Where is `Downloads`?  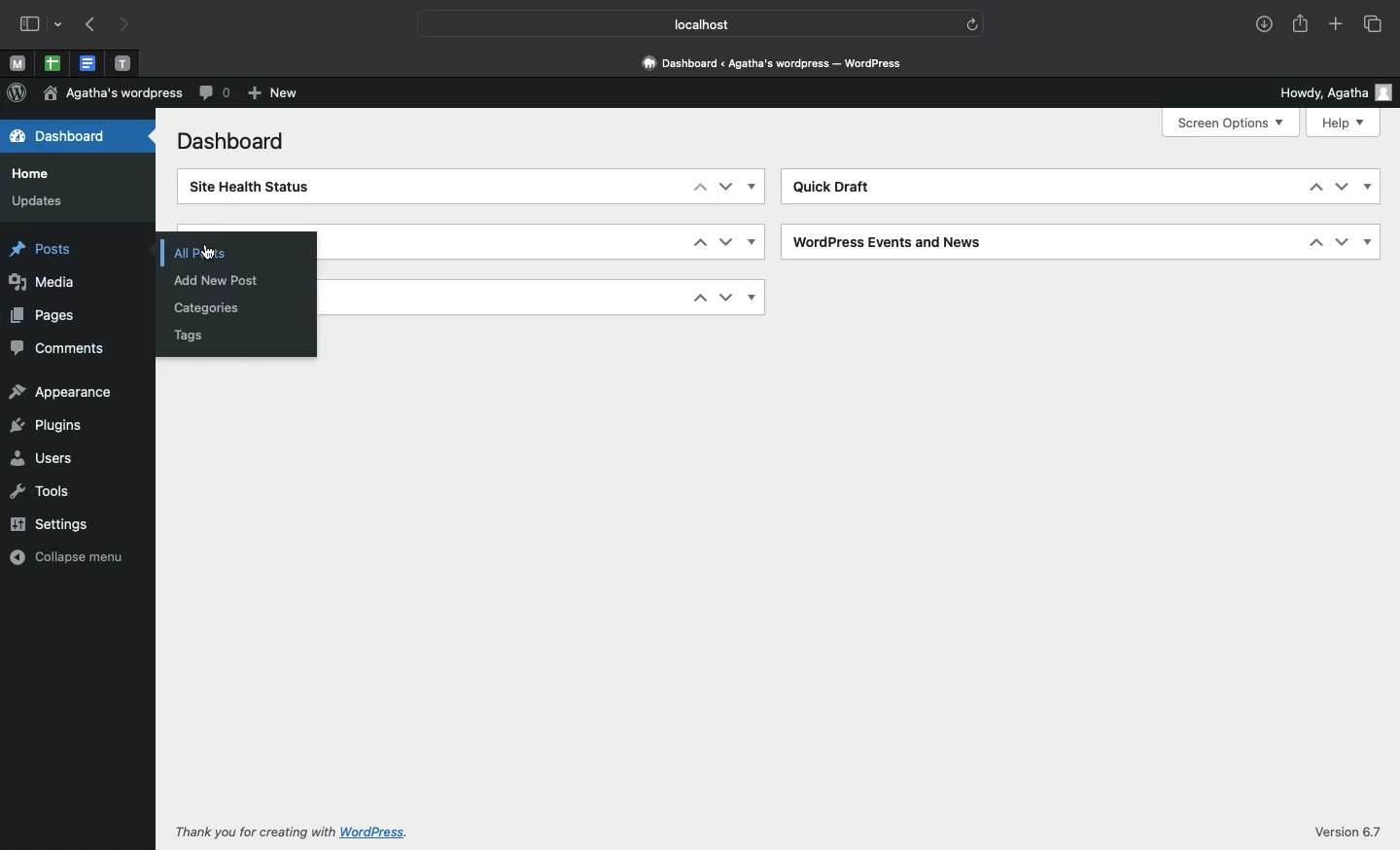 Downloads is located at coordinates (1263, 25).